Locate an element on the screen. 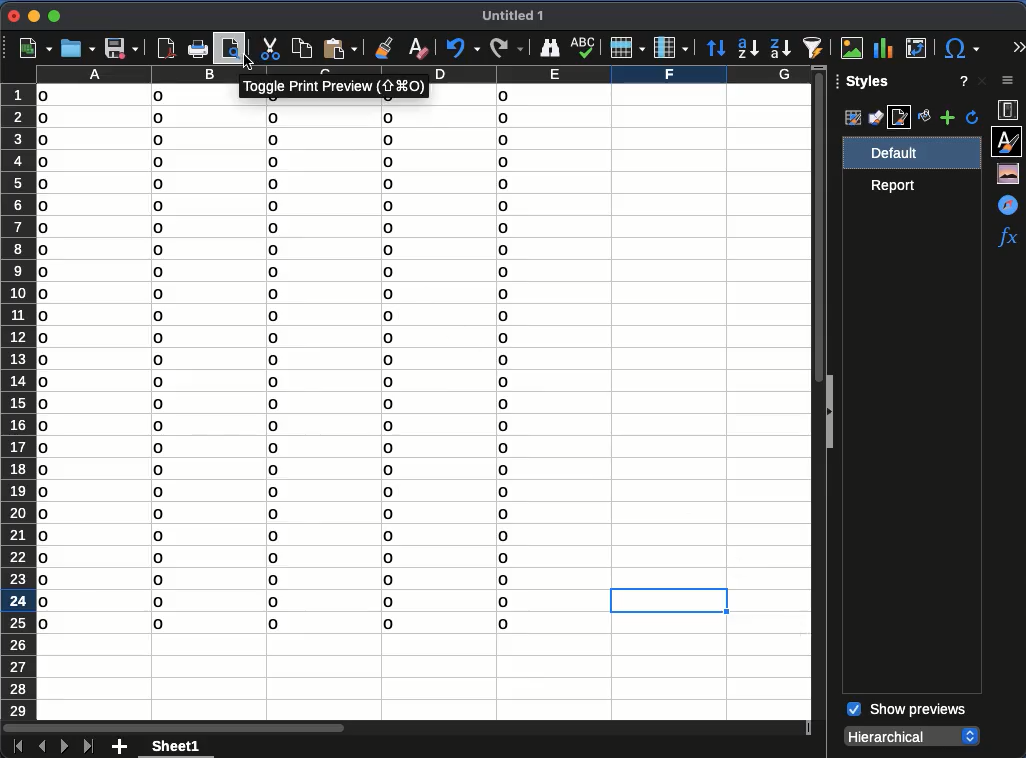 The height and width of the screenshot is (758, 1026). copy is located at coordinates (301, 46).